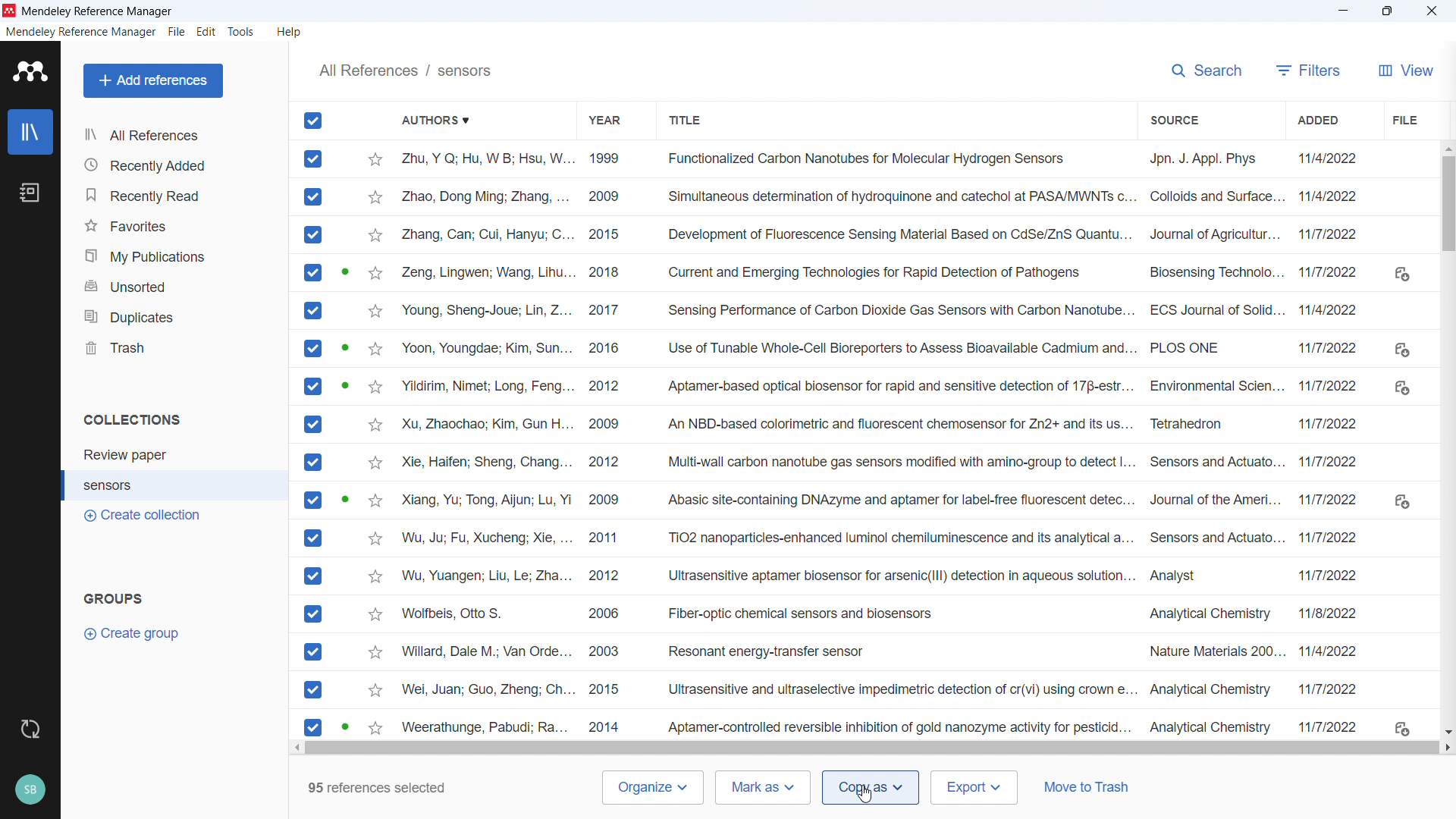 The image size is (1456, 819). I want to click on notebook, so click(31, 193).